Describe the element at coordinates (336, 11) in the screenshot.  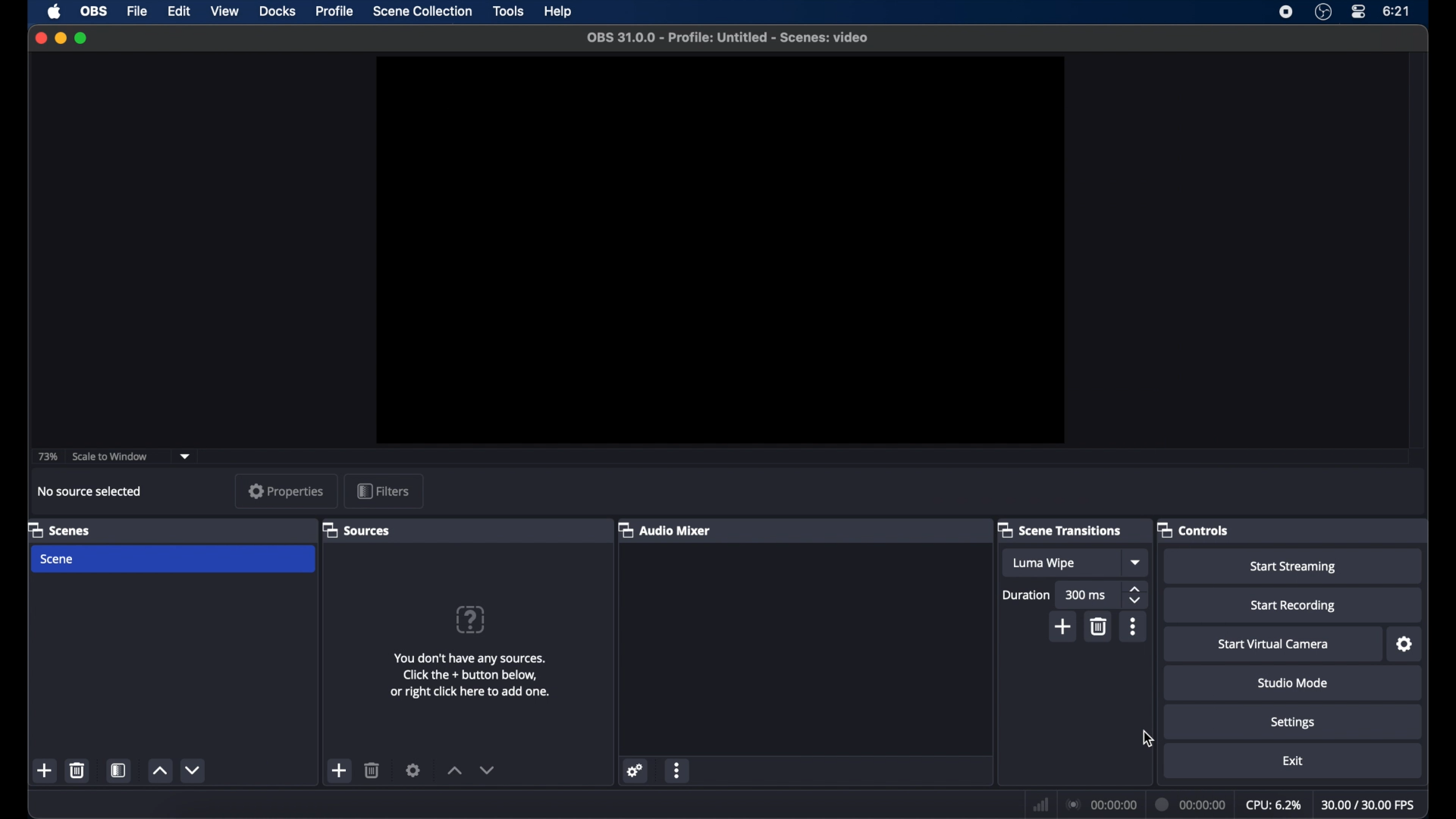
I see `profile` at that location.